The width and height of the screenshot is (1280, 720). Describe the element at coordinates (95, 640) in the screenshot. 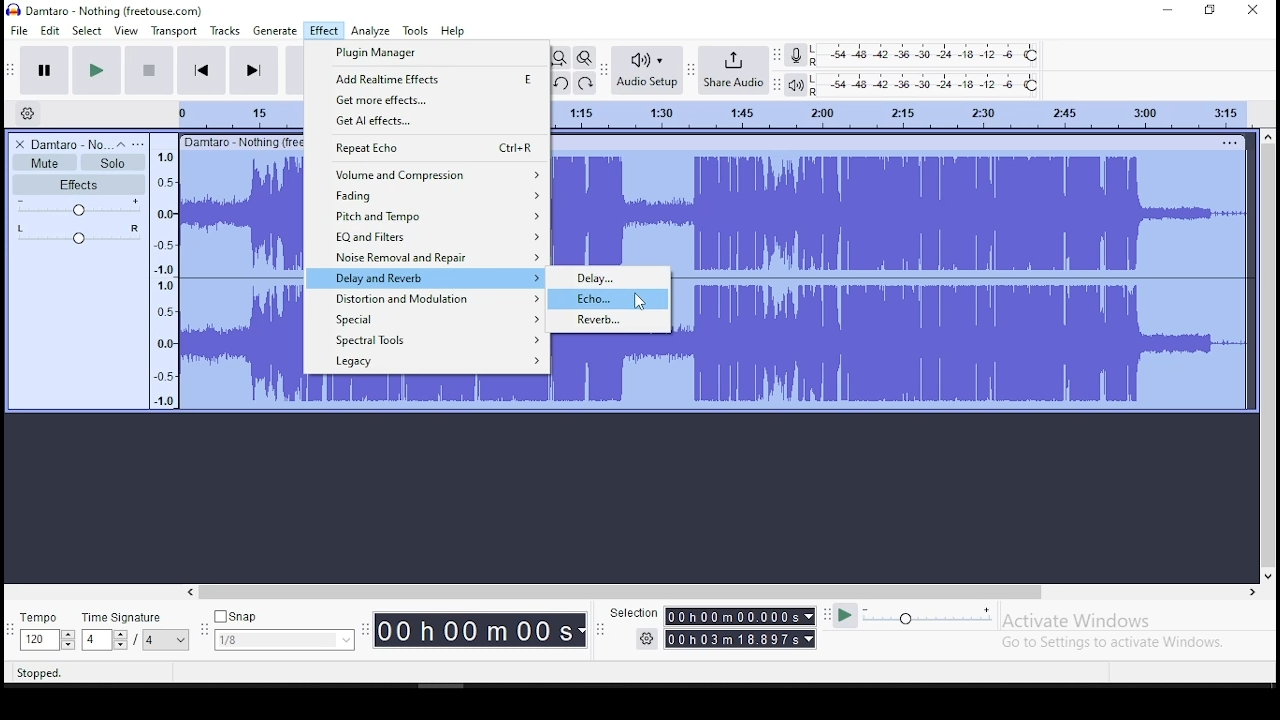

I see `4` at that location.